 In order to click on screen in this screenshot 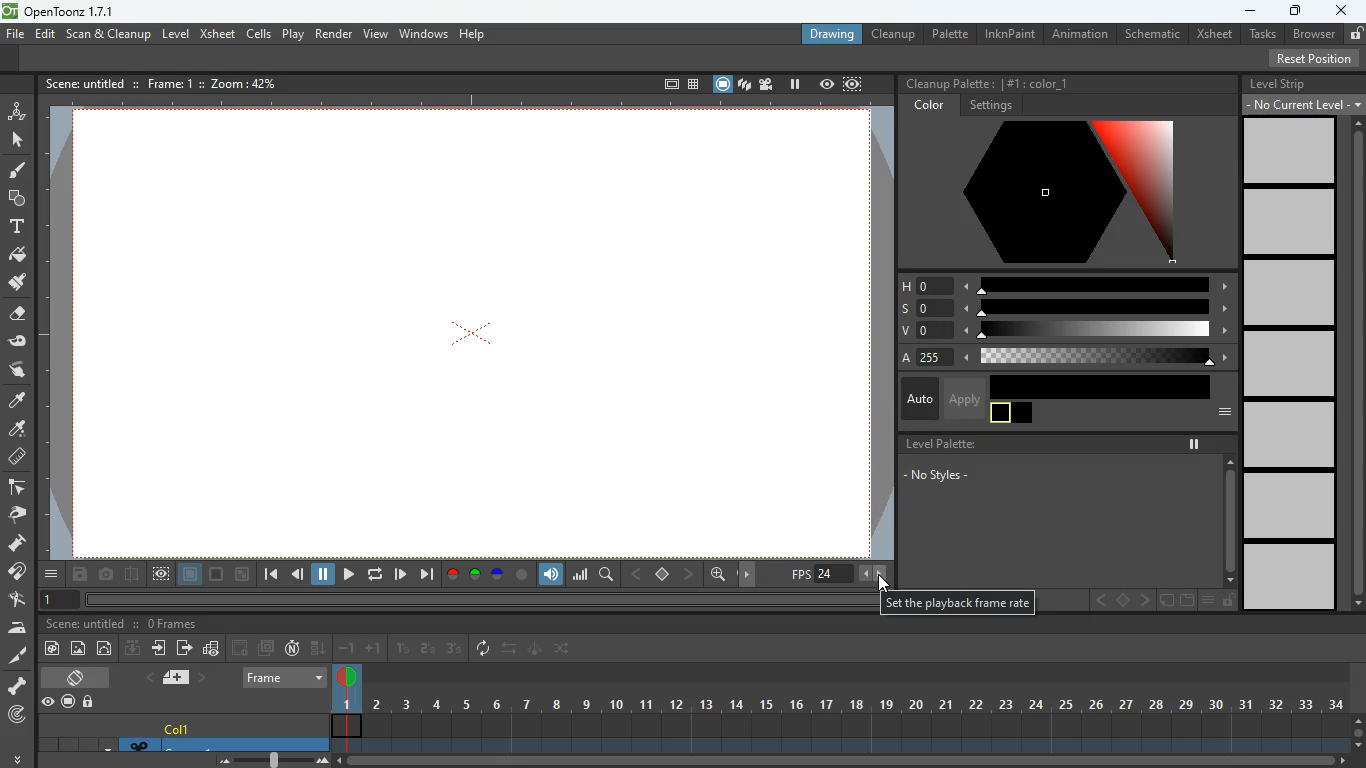, I will do `click(721, 84)`.